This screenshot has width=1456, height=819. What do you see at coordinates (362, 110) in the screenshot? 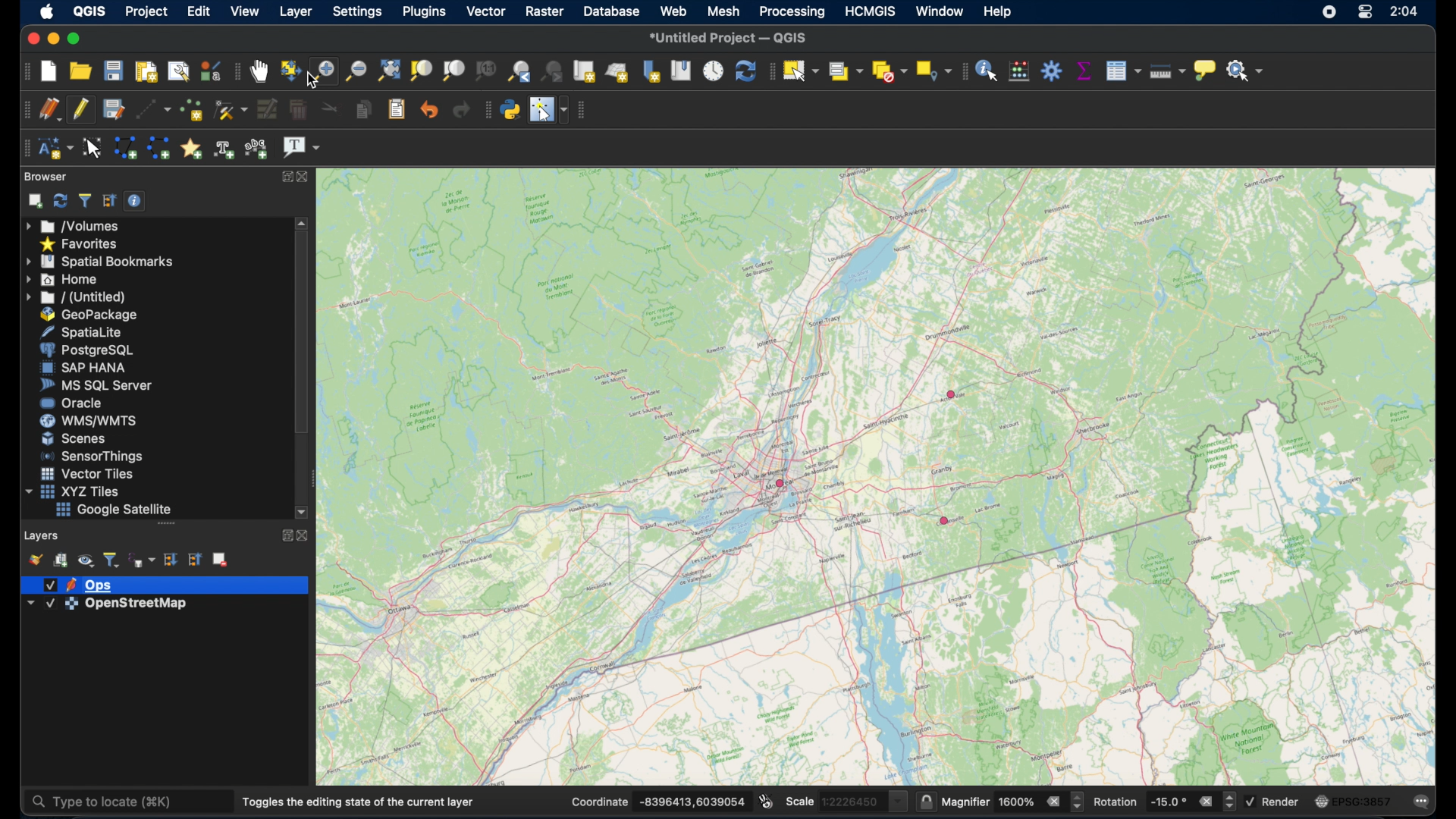
I see `copy features` at bounding box center [362, 110].